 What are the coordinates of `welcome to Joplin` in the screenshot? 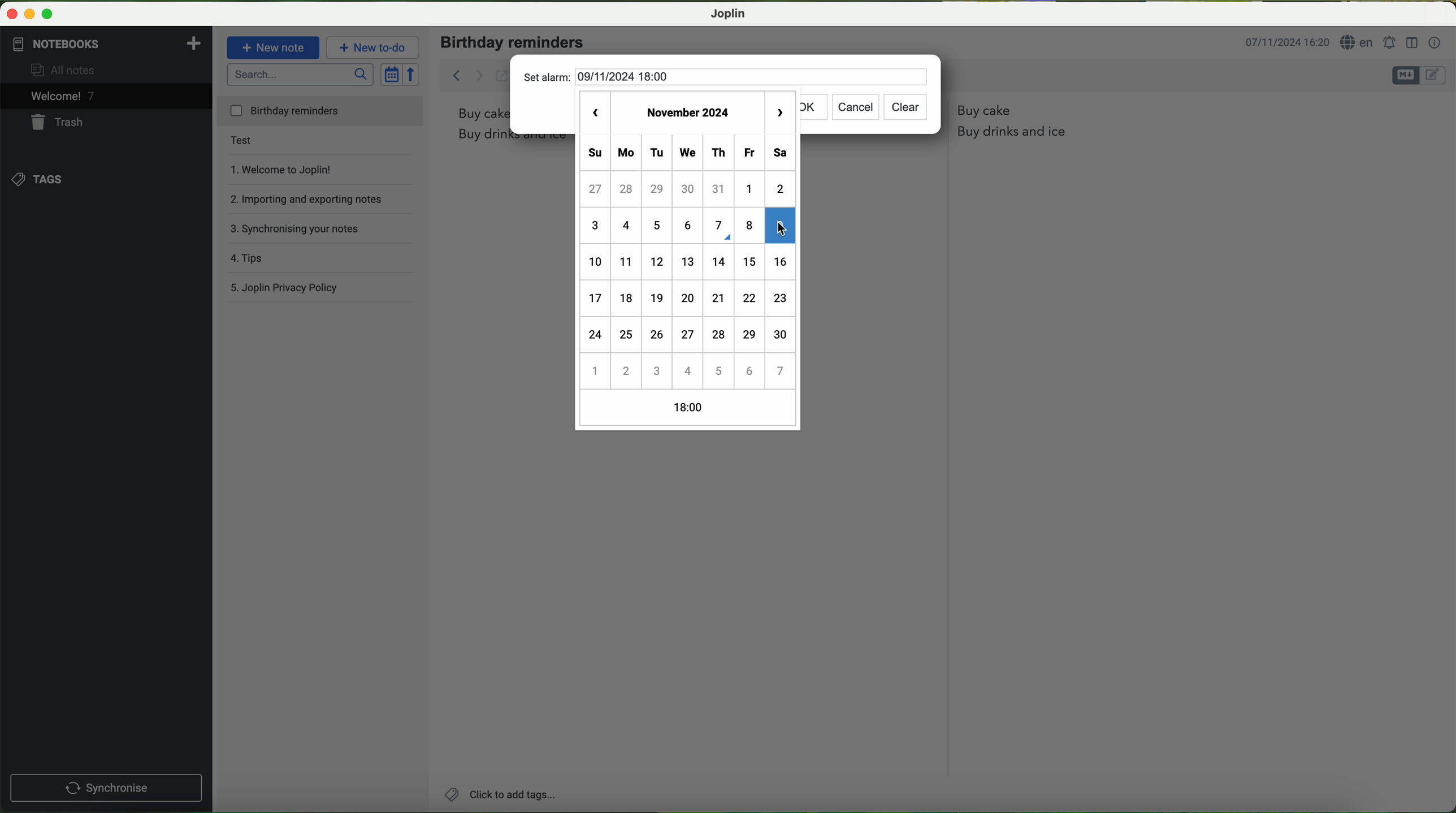 It's located at (297, 169).